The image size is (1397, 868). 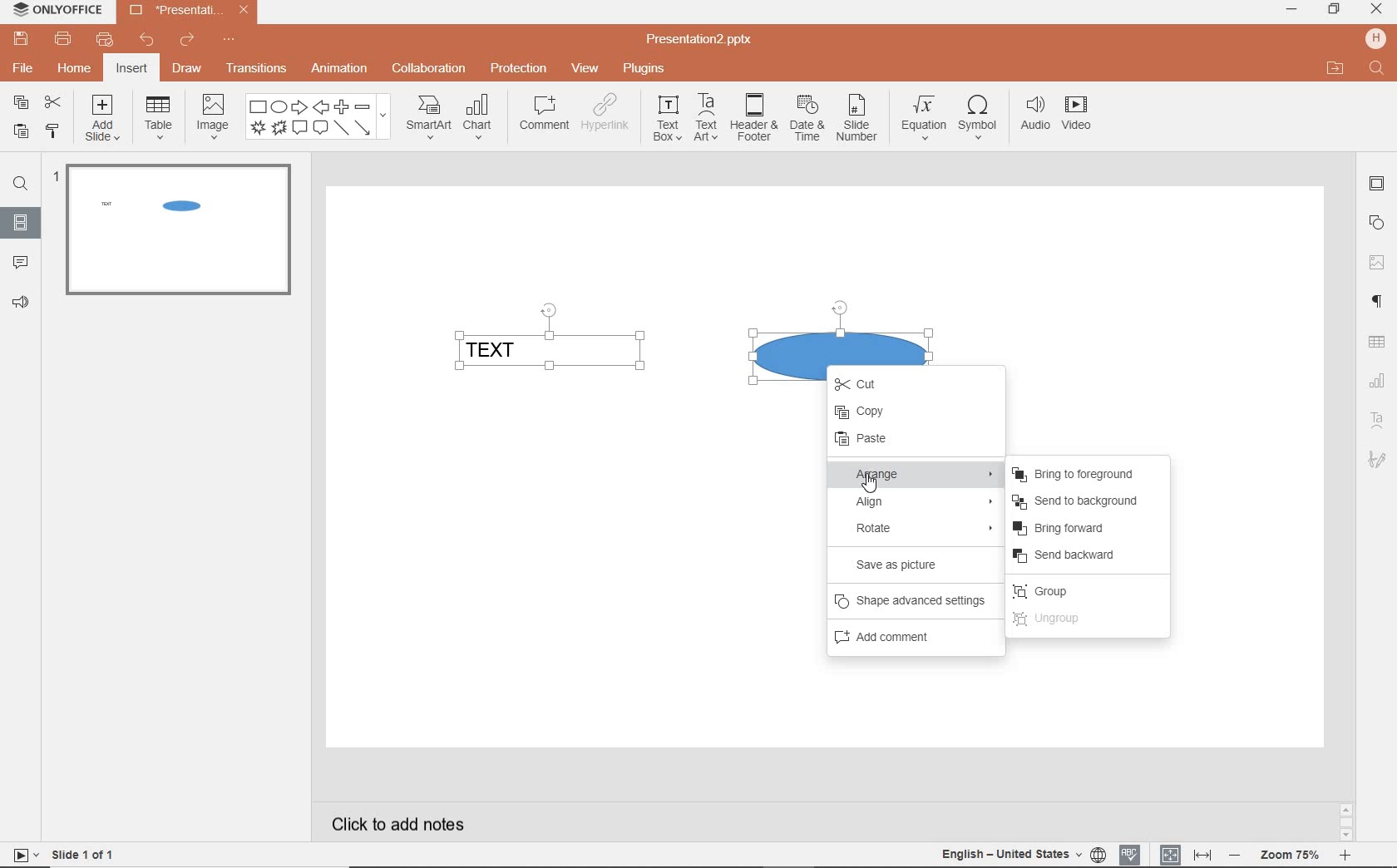 What do you see at coordinates (18, 186) in the screenshot?
I see `FIND` at bounding box center [18, 186].